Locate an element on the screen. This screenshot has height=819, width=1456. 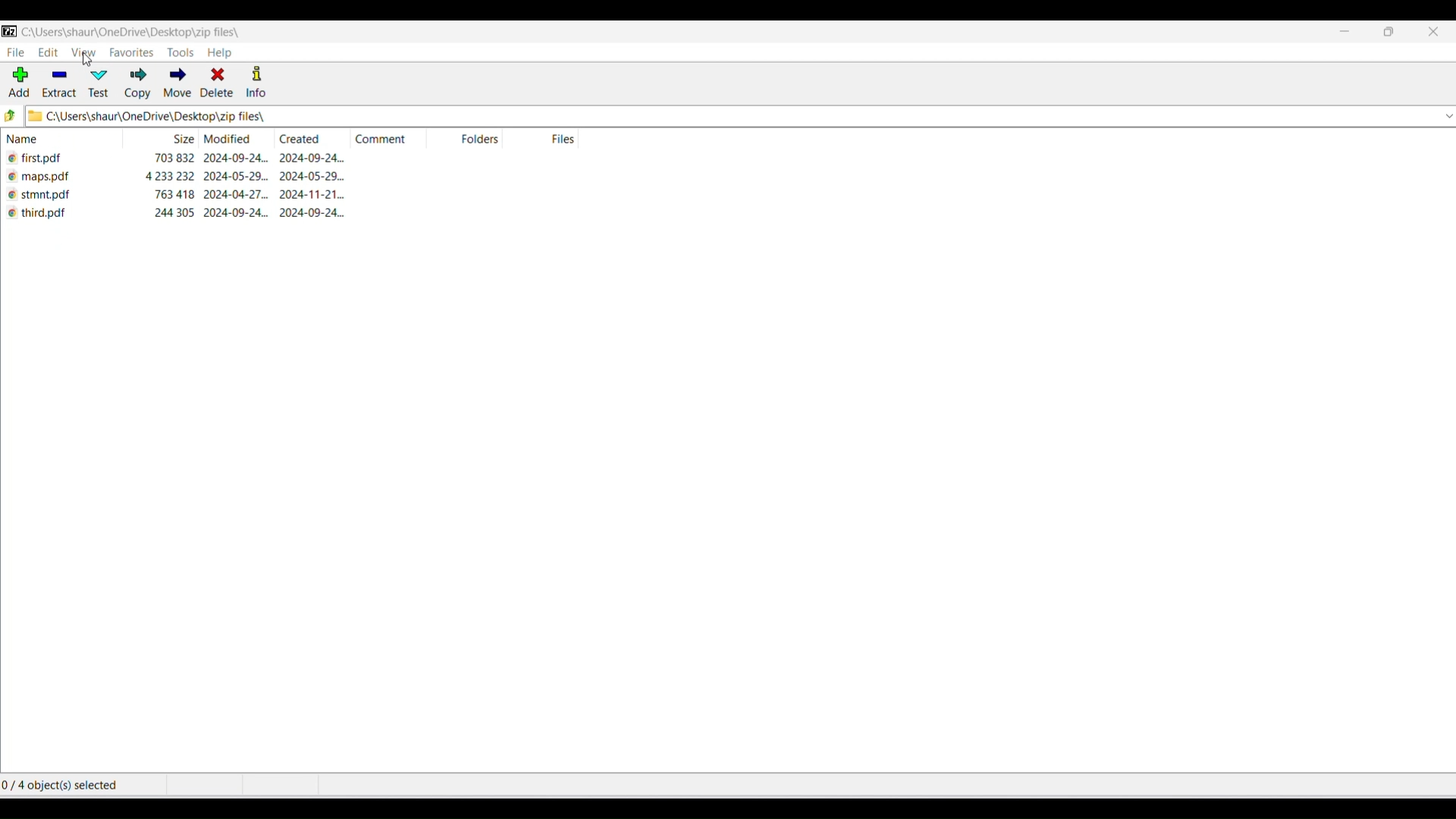
add is located at coordinates (20, 83).